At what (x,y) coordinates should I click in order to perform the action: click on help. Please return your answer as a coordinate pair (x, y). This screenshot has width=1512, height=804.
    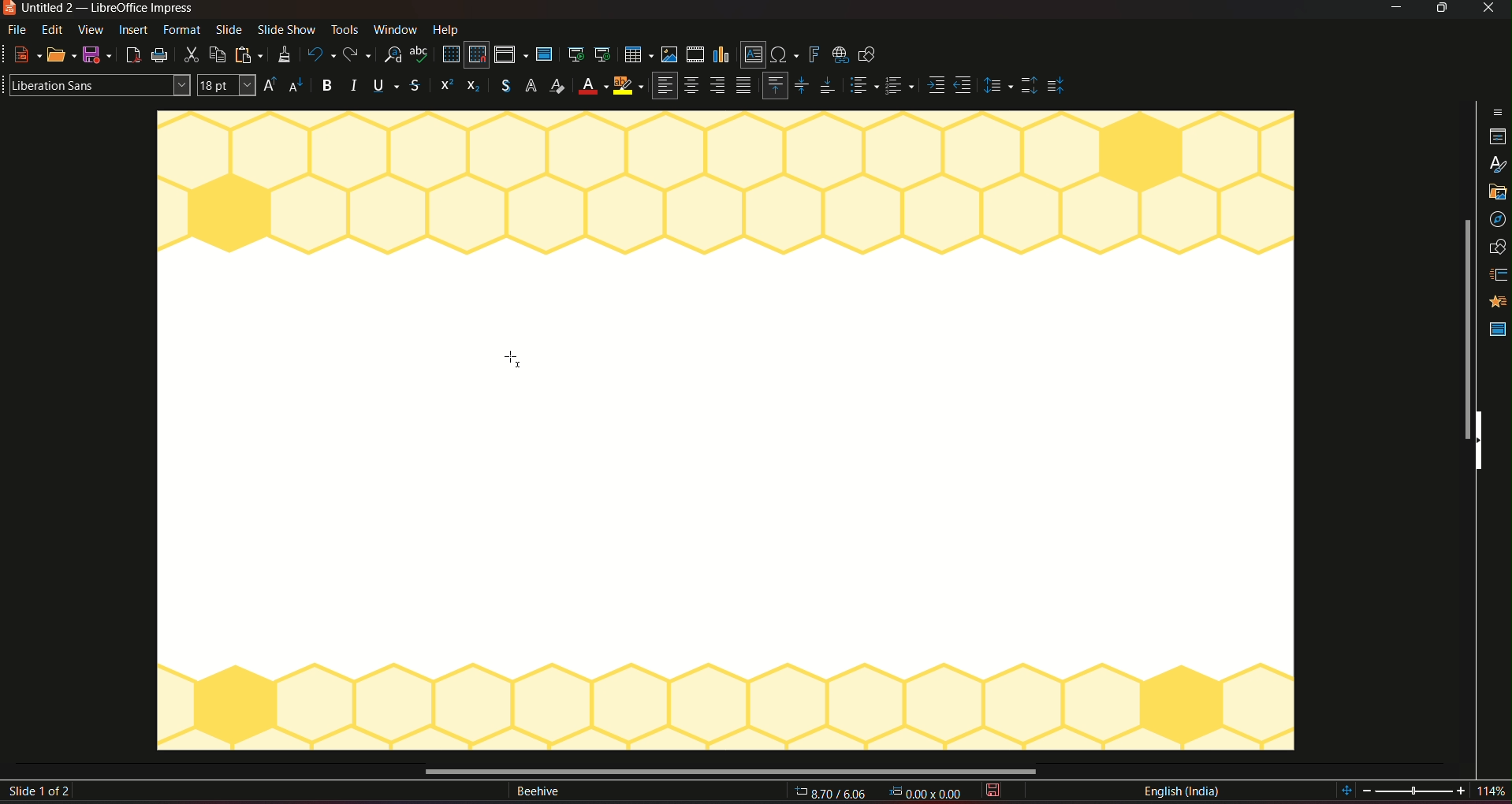
    Looking at the image, I should click on (448, 28).